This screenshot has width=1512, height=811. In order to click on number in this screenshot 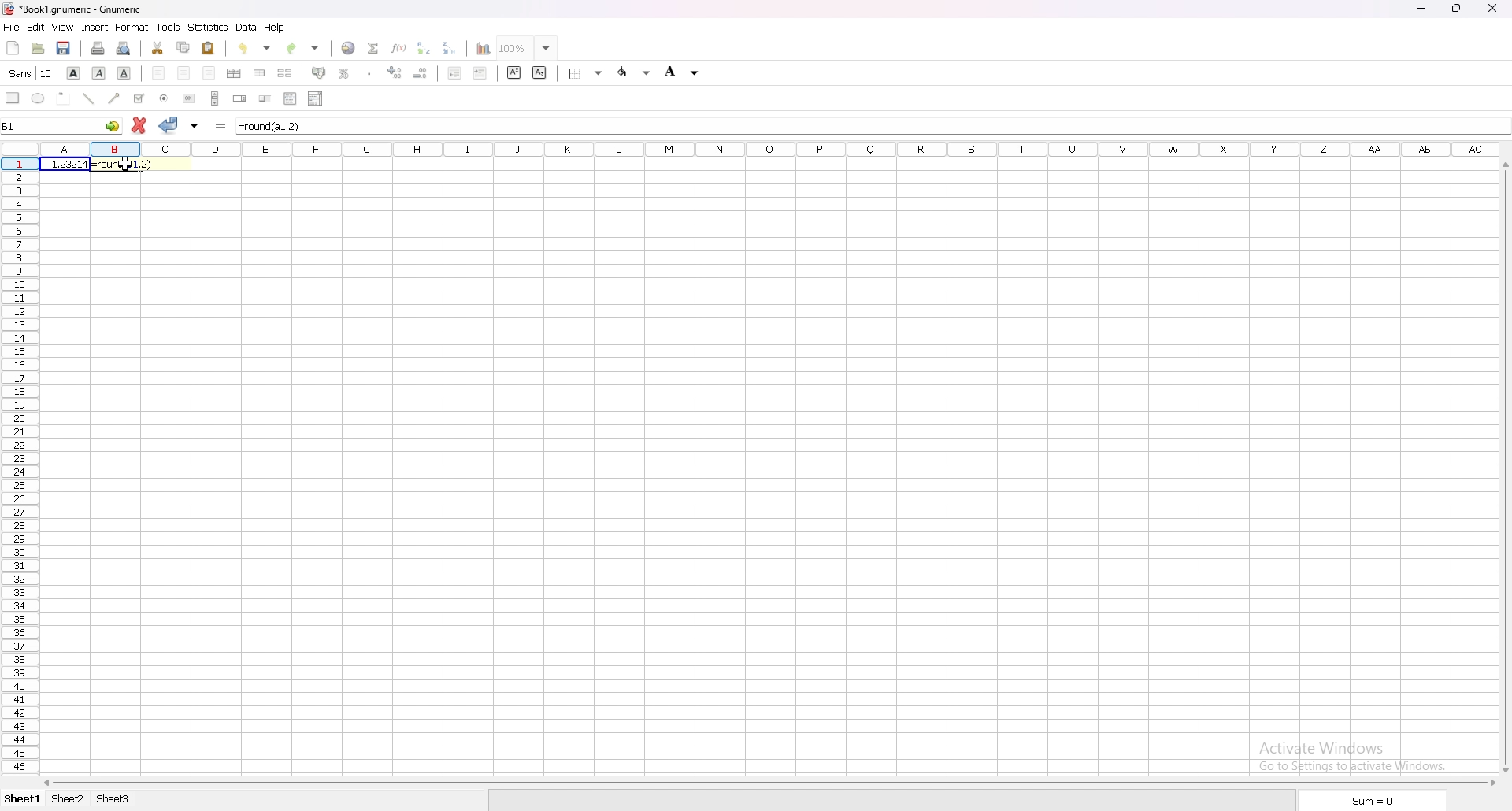, I will do `click(68, 164)`.